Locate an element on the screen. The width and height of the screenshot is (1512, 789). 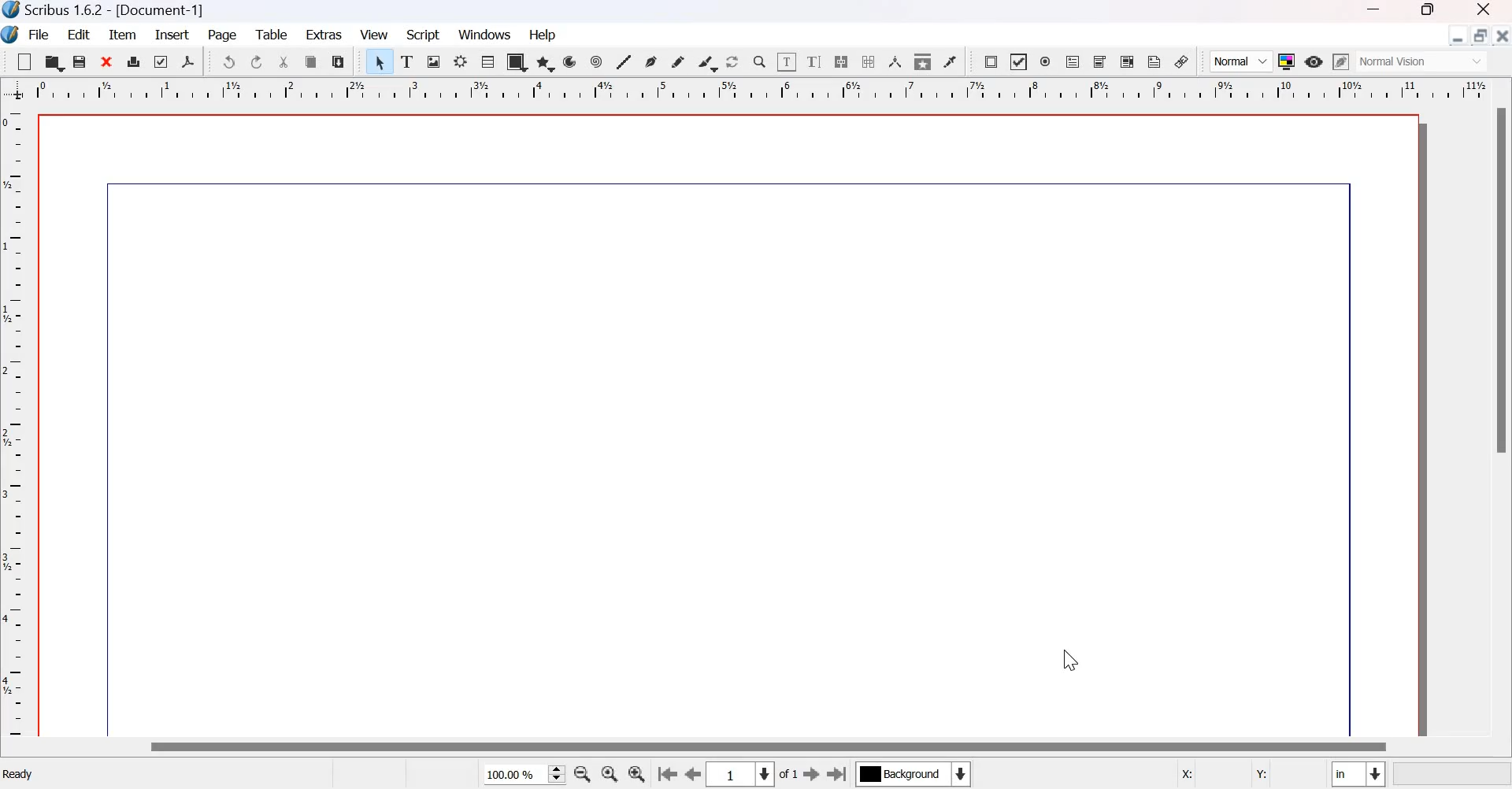
File is located at coordinates (39, 35).